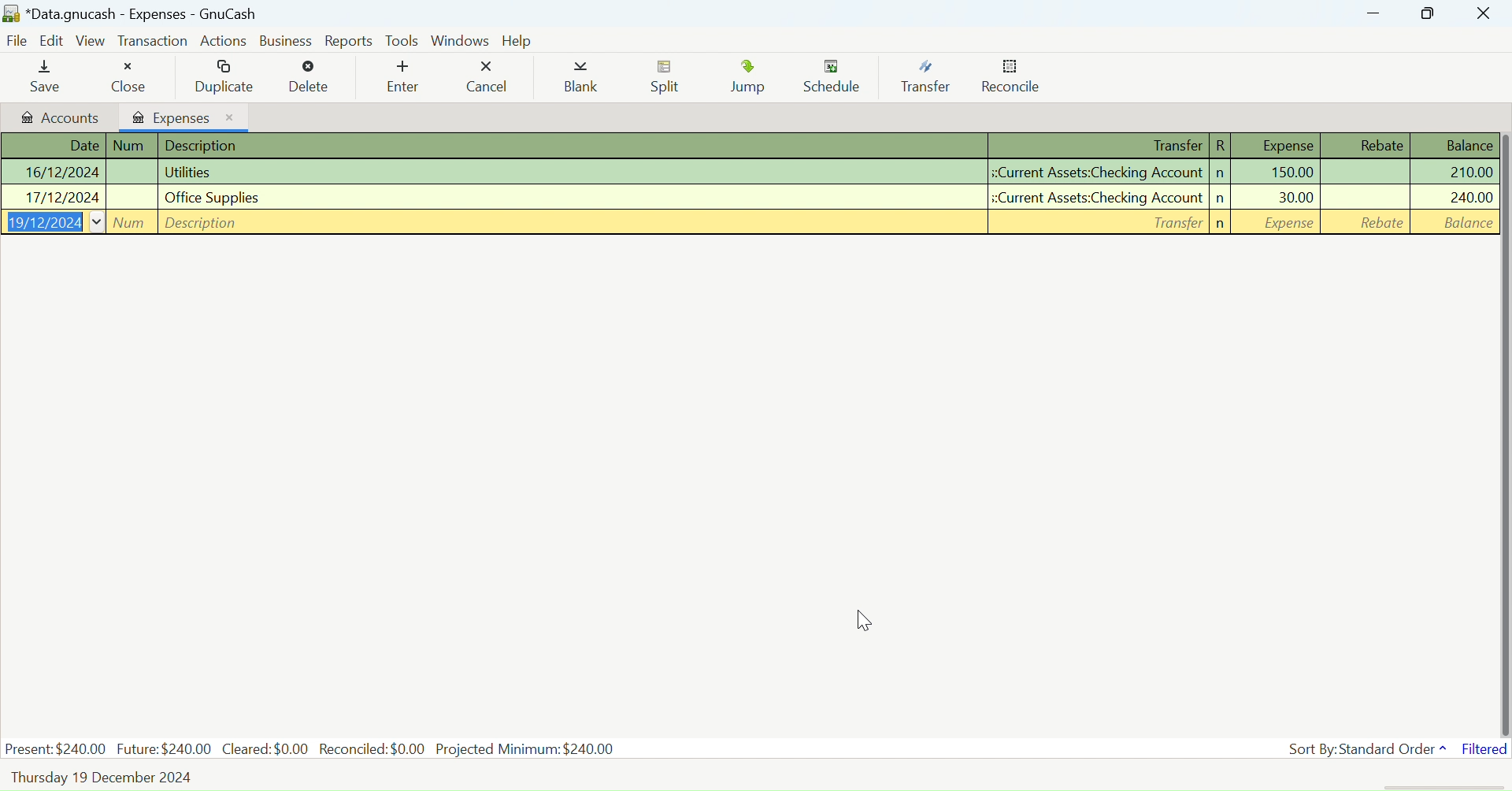 The height and width of the screenshot is (791, 1512). Describe the element at coordinates (228, 76) in the screenshot. I see `Duplicate` at that location.